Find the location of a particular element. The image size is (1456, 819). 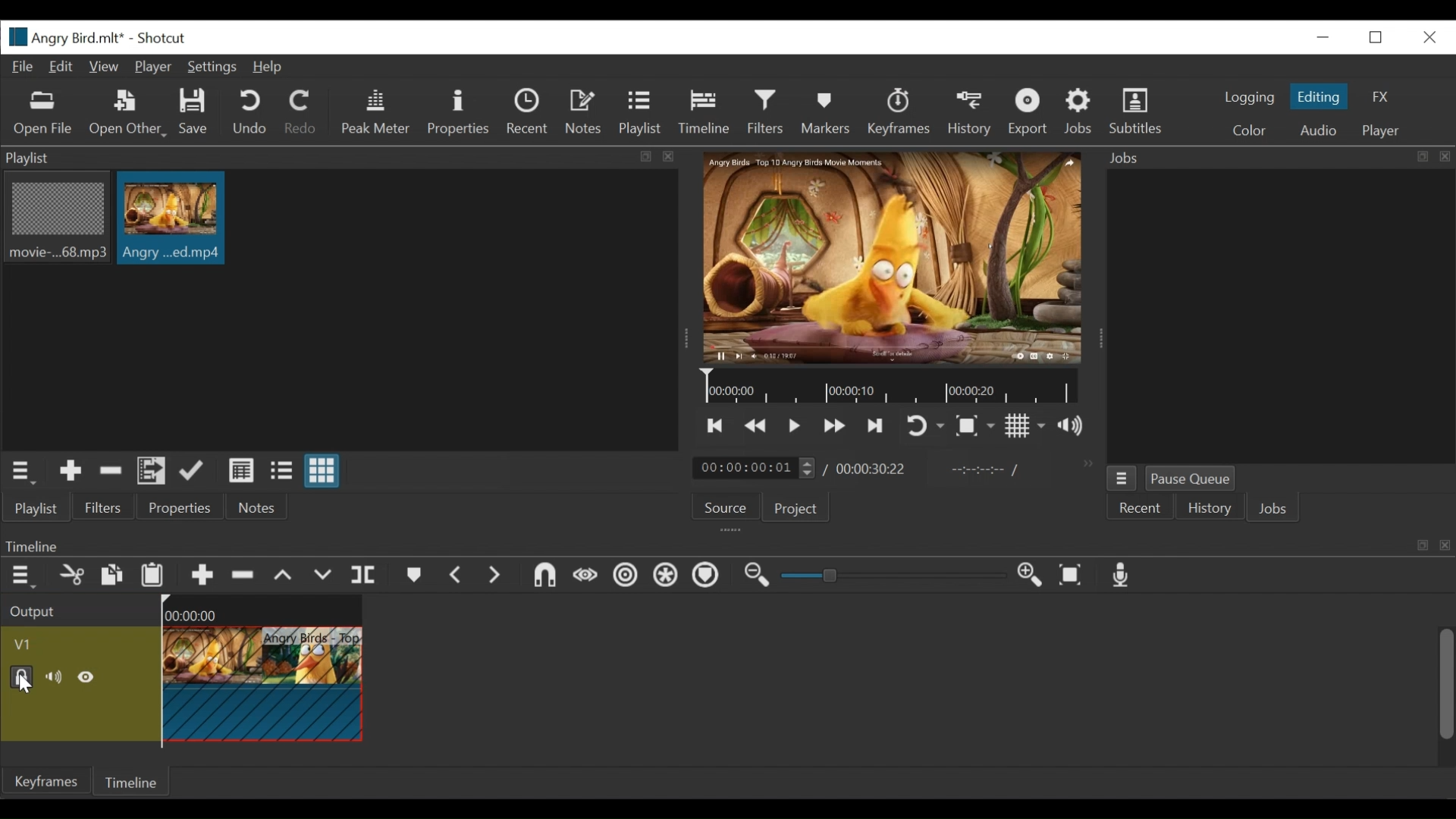

Restore is located at coordinates (1375, 37).